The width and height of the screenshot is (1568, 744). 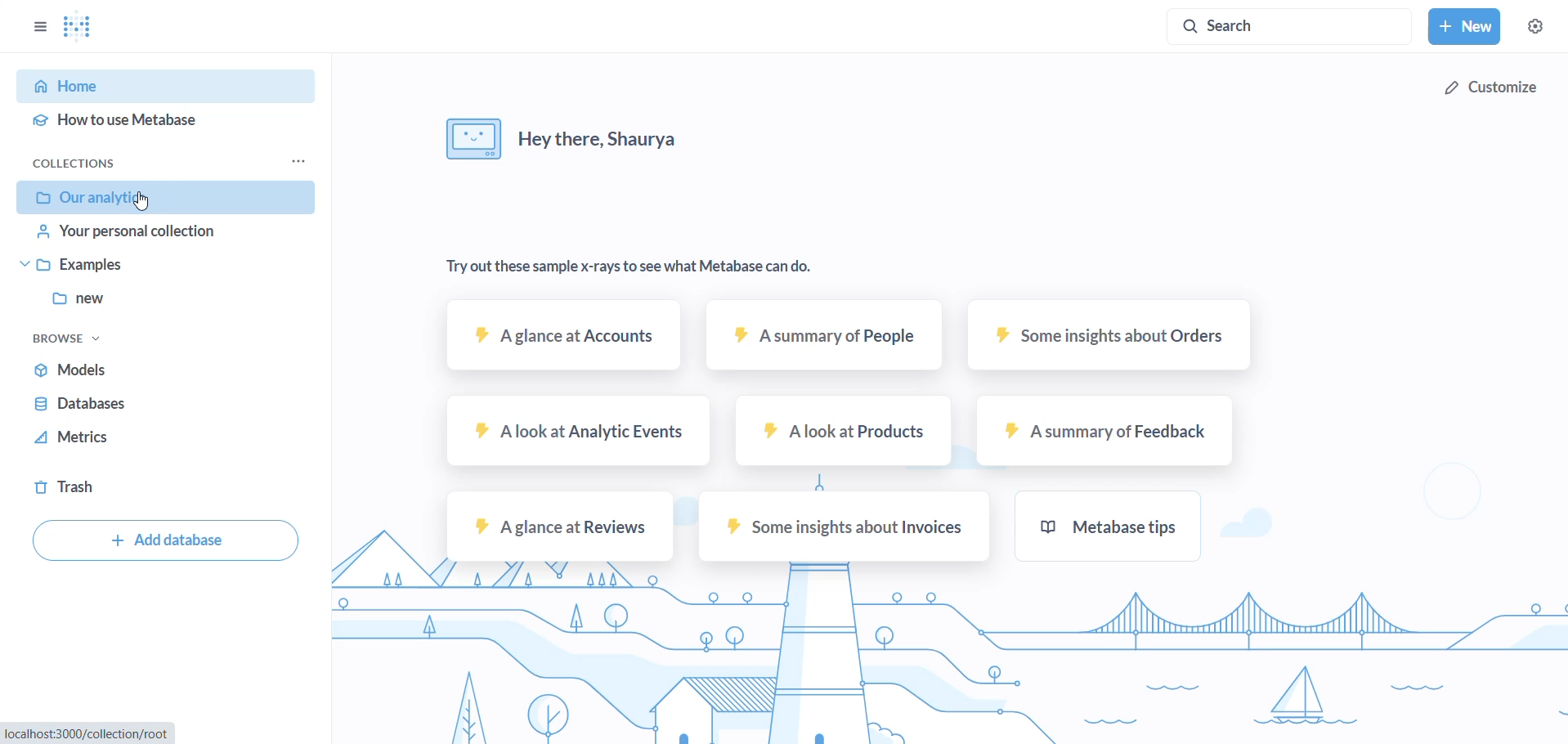 What do you see at coordinates (96, 734) in the screenshot?
I see `localhost3000/collection/root` at bounding box center [96, 734].